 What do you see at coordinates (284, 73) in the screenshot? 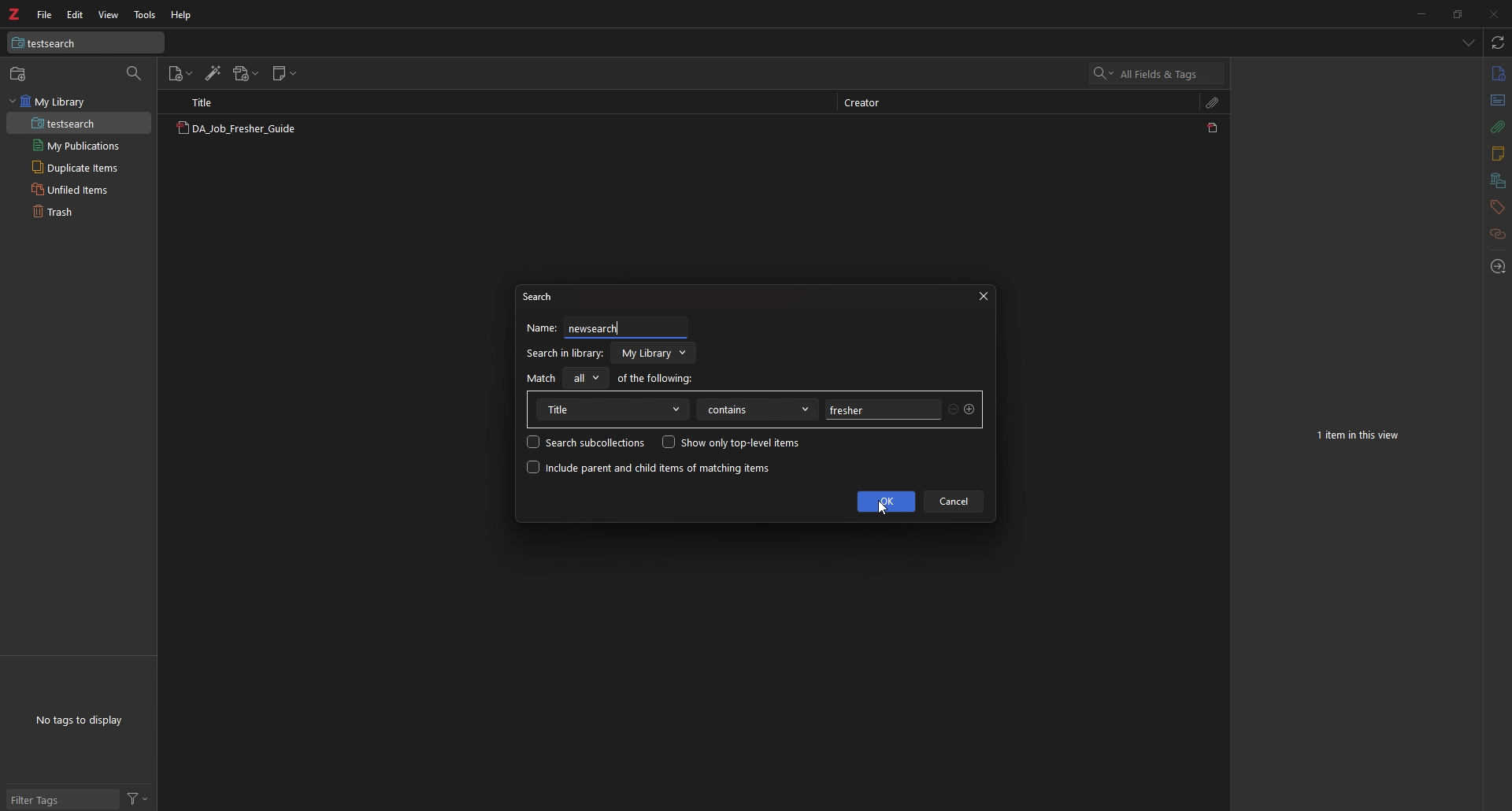
I see `new note` at bounding box center [284, 73].